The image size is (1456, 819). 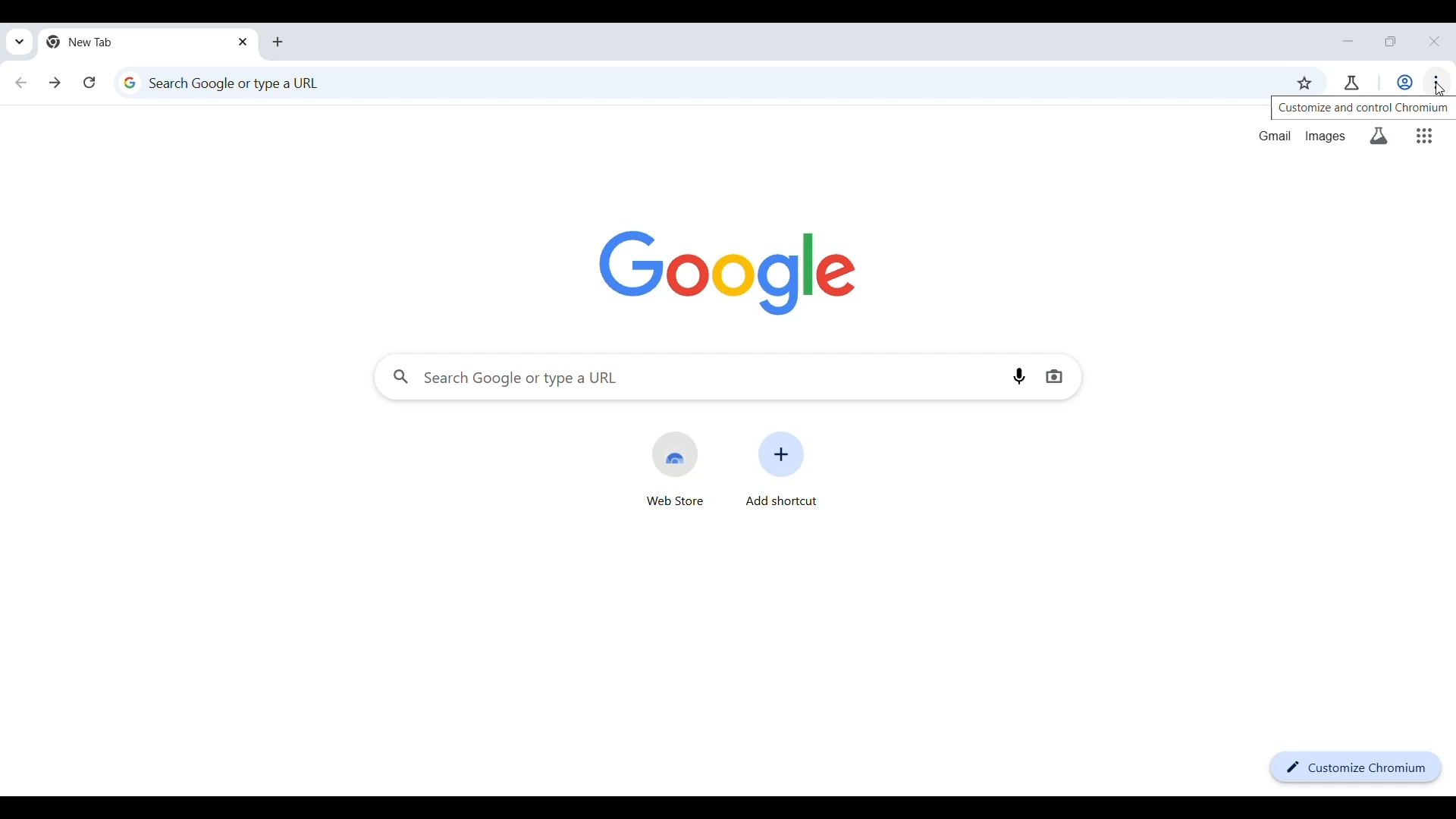 What do you see at coordinates (1304, 83) in the screenshot?
I see `Bookmark current tab` at bounding box center [1304, 83].